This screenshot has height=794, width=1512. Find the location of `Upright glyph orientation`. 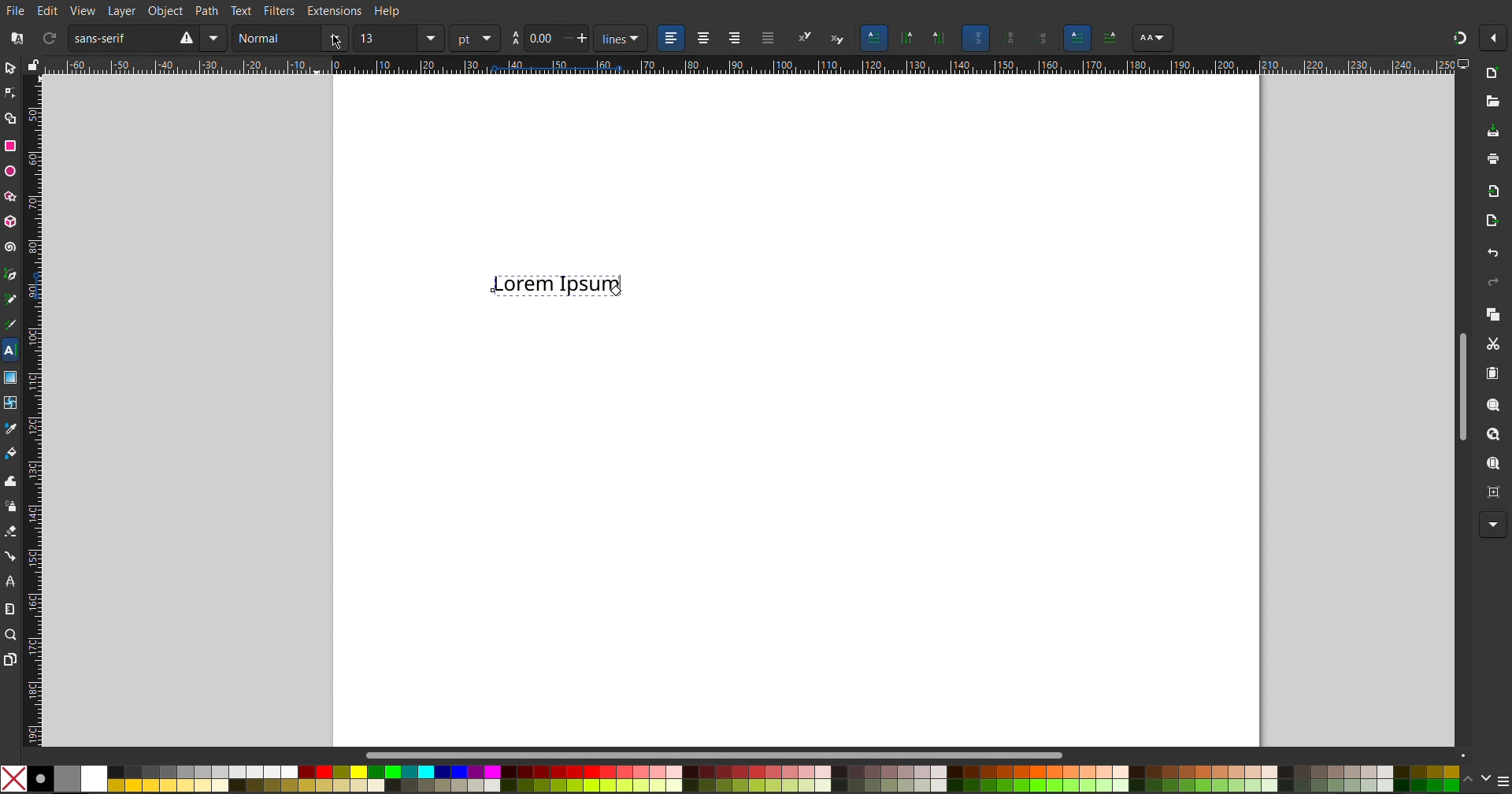

Upright glyph orientation is located at coordinates (1011, 39).